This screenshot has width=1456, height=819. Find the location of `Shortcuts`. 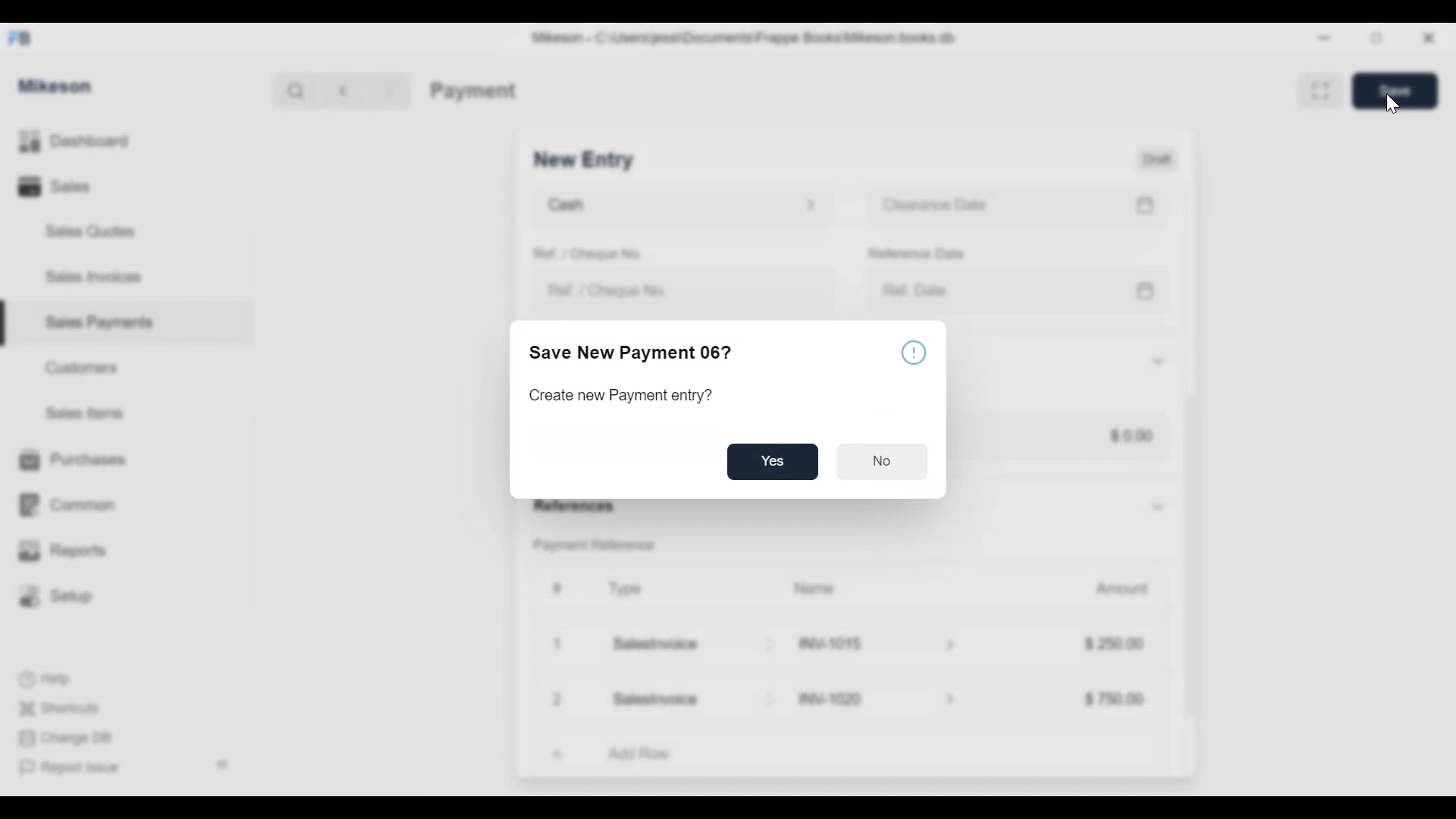

Shortcuts is located at coordinates (66, 704).